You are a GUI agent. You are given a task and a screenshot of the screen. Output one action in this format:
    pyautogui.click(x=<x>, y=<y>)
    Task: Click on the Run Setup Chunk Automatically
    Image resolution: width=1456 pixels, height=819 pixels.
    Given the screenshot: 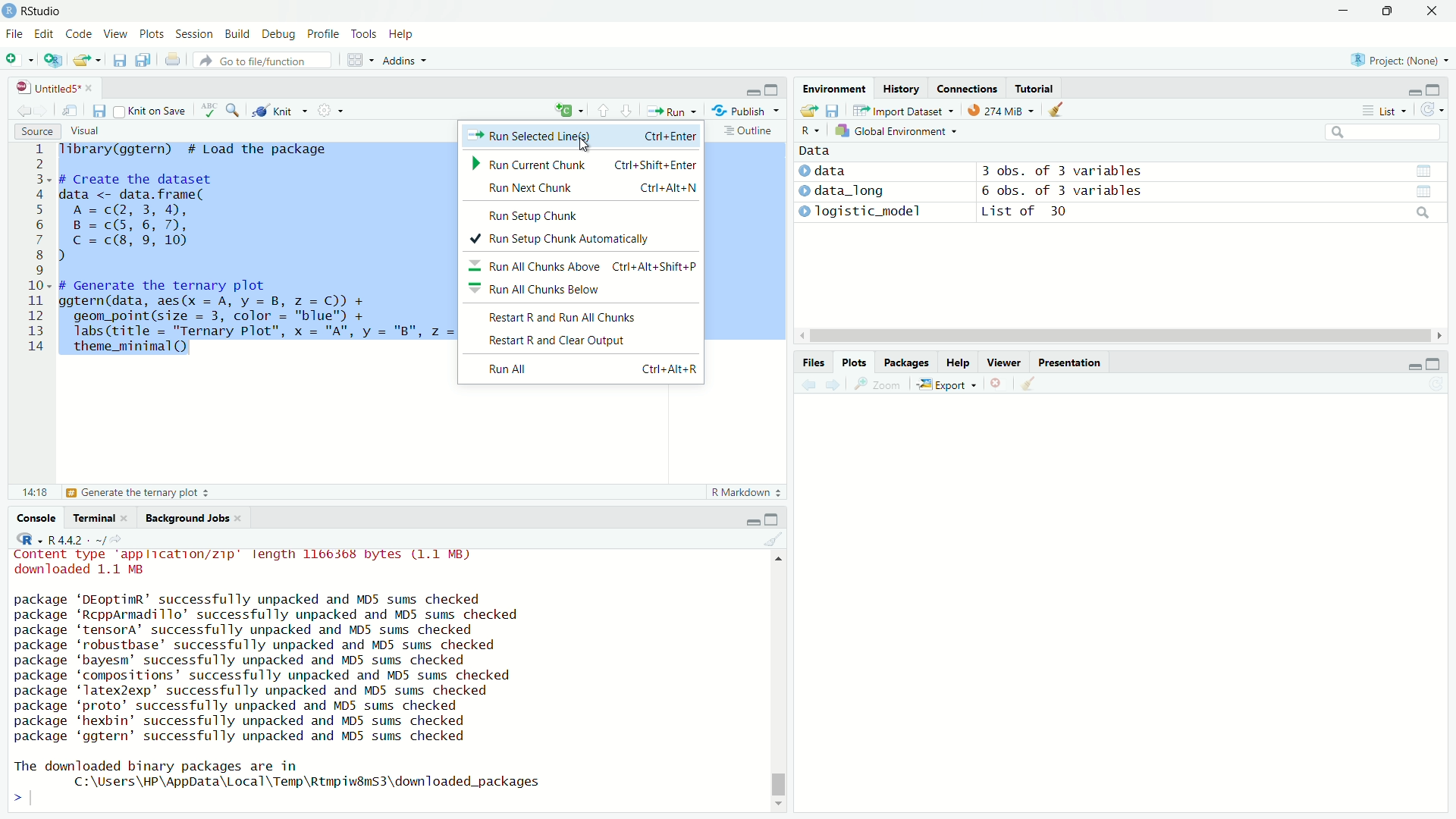 What is the action you would take?
    pyautogui.click(x=567, y=240)
    